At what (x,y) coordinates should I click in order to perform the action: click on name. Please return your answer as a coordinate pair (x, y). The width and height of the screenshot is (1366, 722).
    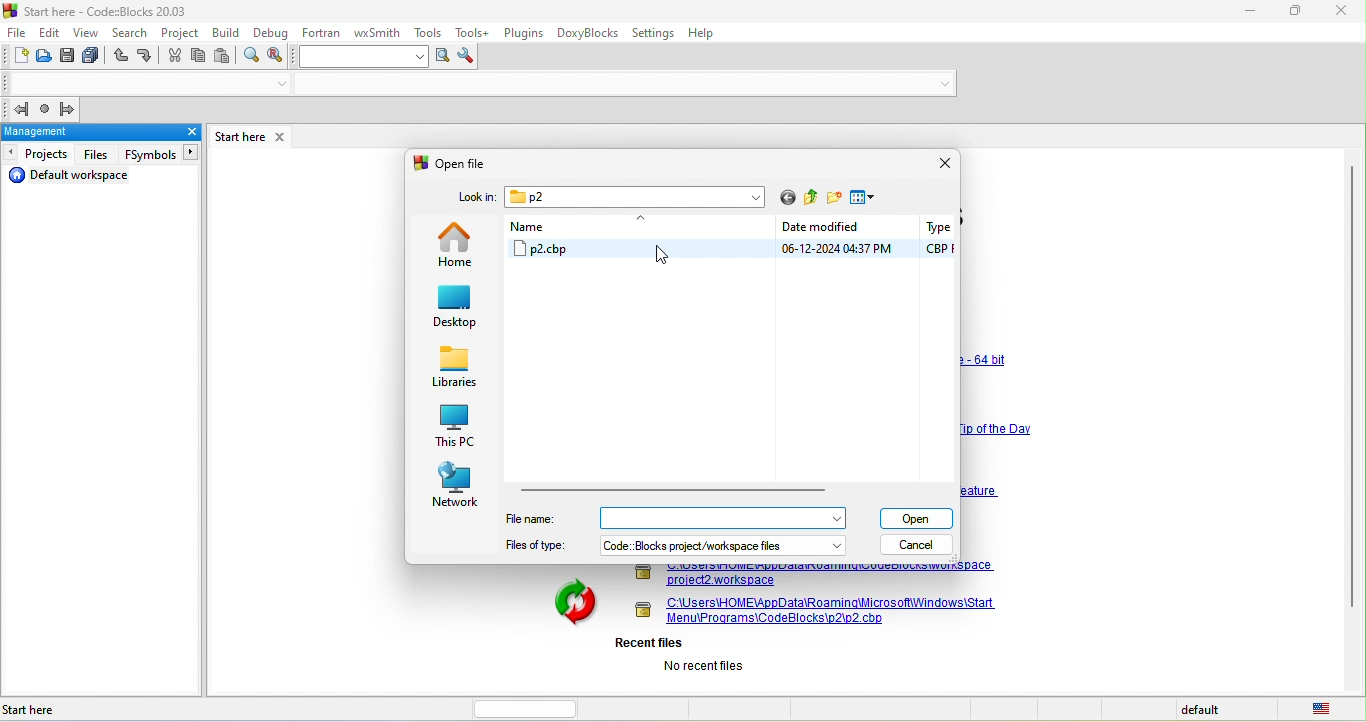
    Looking at the image, I should click on (642, 228).